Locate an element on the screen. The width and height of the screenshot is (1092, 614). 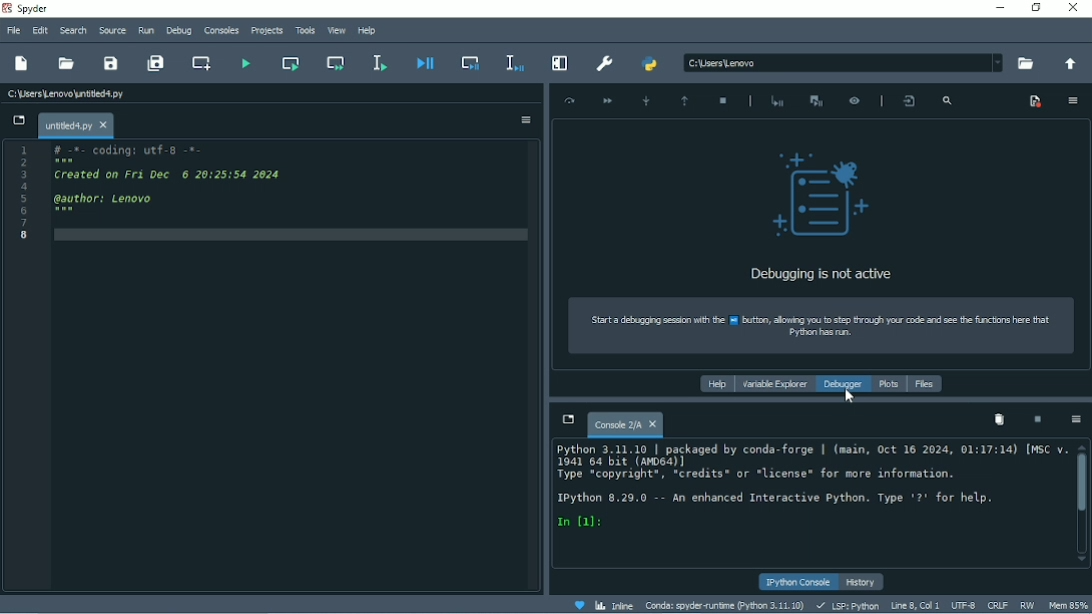
BM csesteor ~~ + is located at coordinates (838, 61).